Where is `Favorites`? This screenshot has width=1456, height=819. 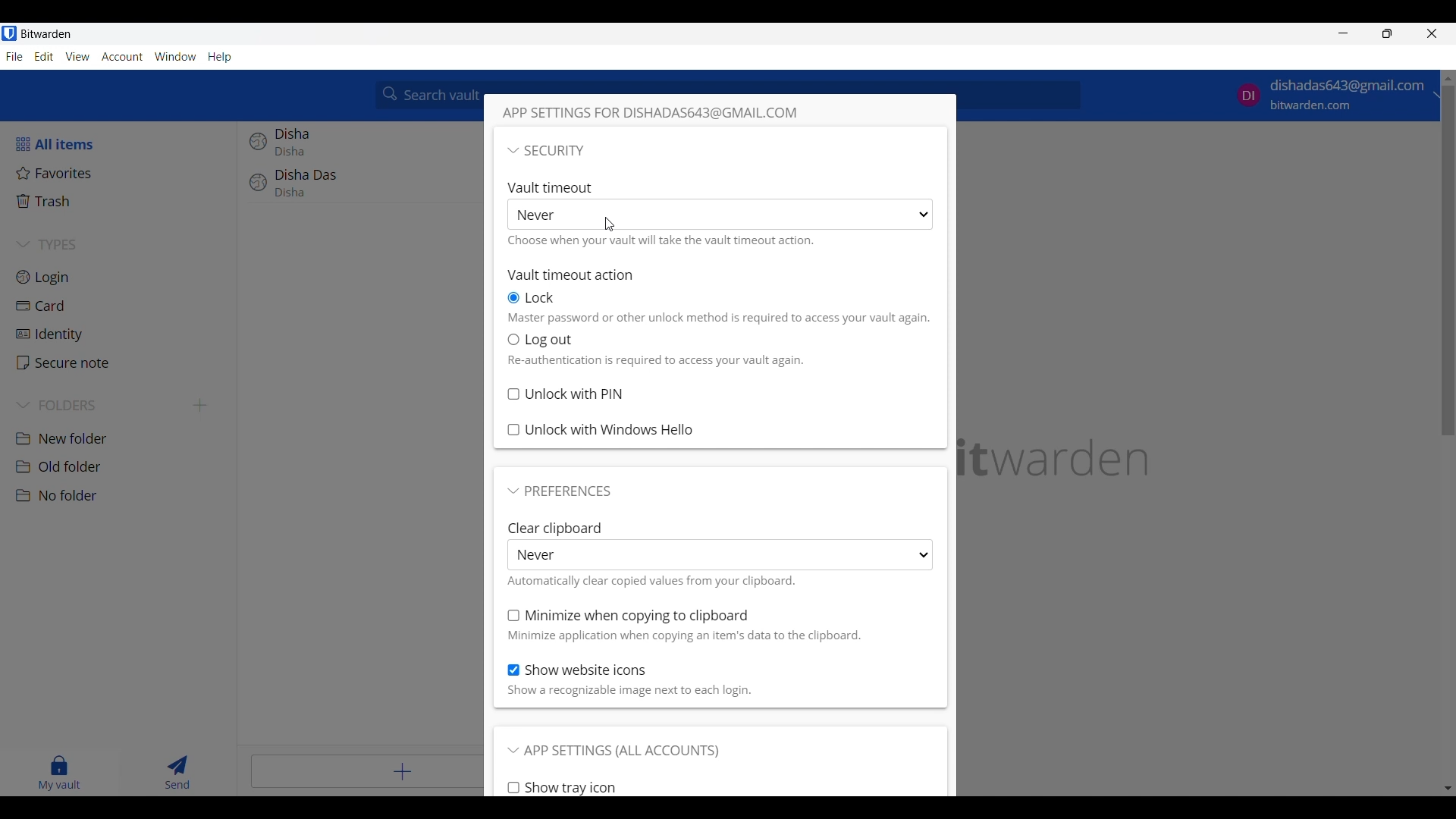
Favorites is located at coordinates (121, 173).